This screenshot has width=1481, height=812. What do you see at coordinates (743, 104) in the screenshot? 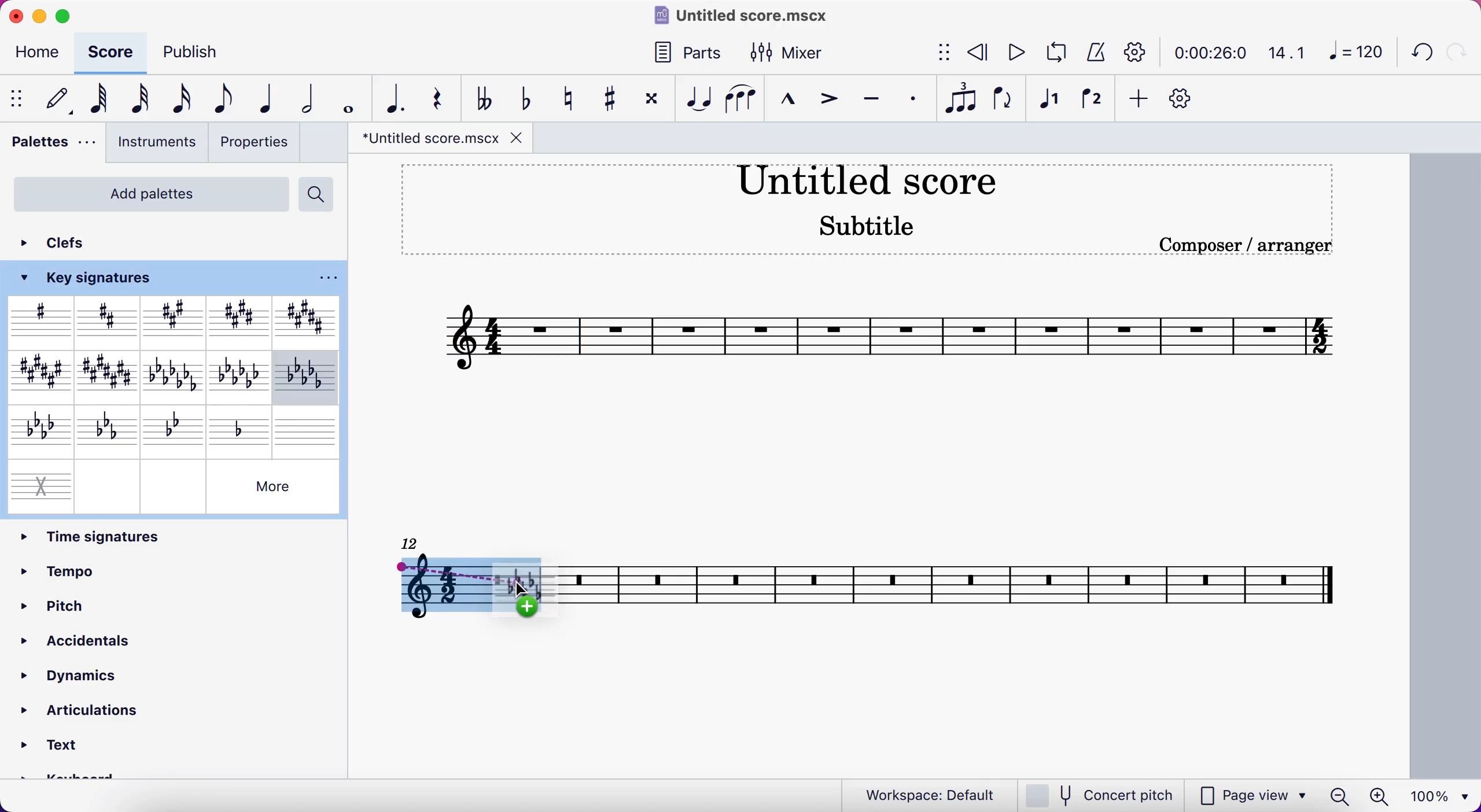
I see `slur` at bounding box center [743, 104].